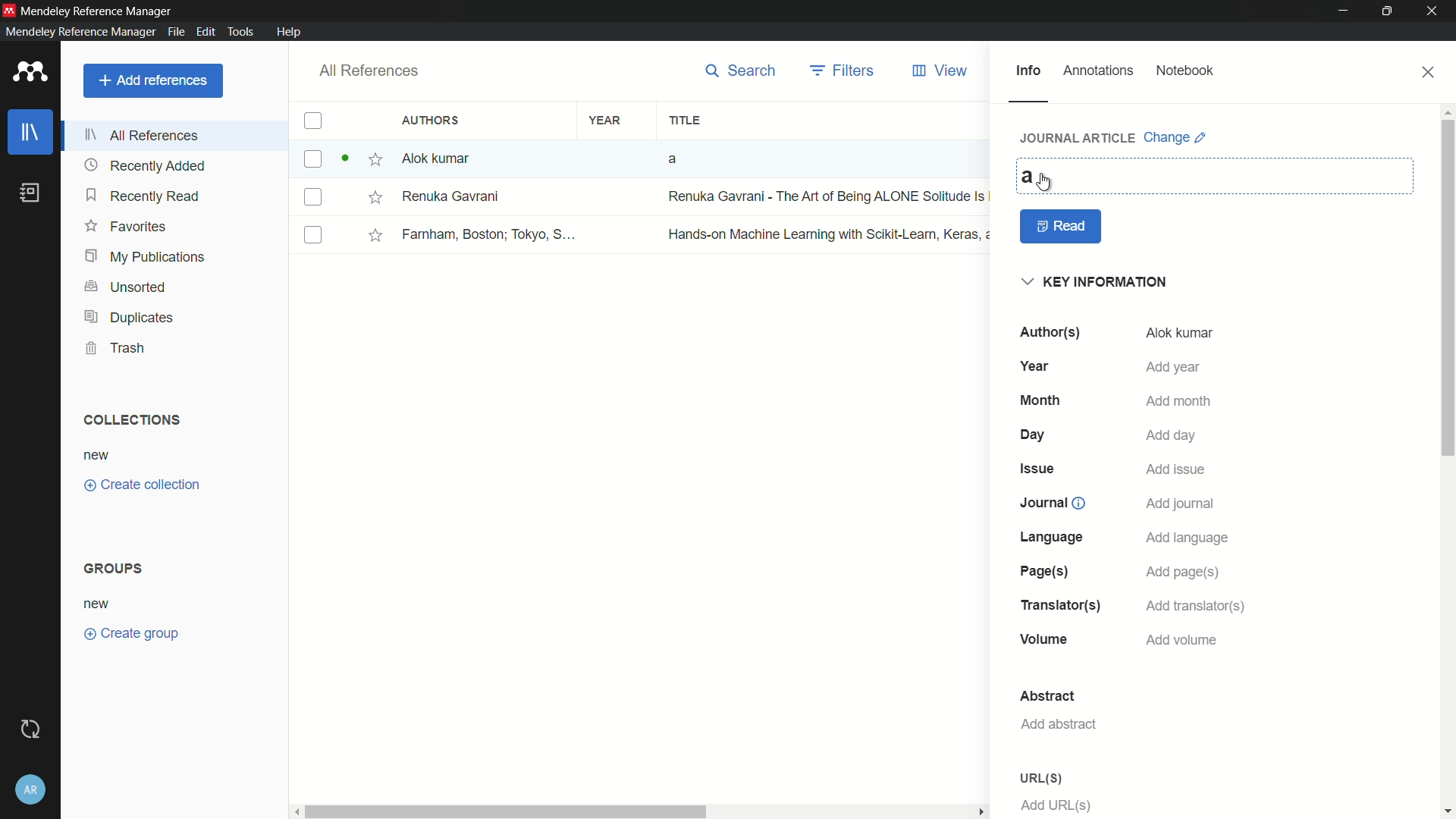  What do you see at coordinates (1079, 137) in the screenshot?
I see `journal article` at bounding box center [1079, 137].